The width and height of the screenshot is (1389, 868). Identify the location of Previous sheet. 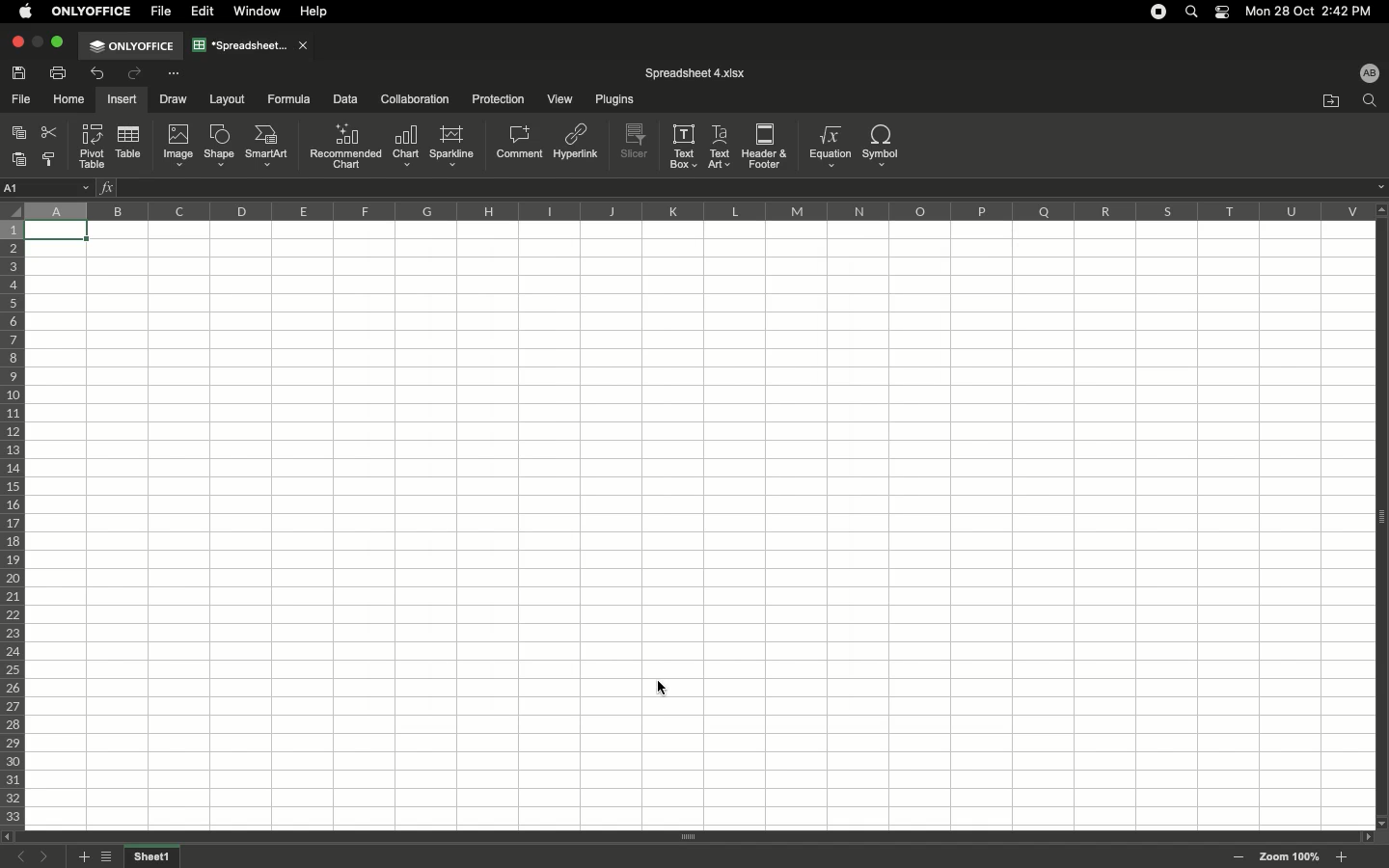
(25, 858).